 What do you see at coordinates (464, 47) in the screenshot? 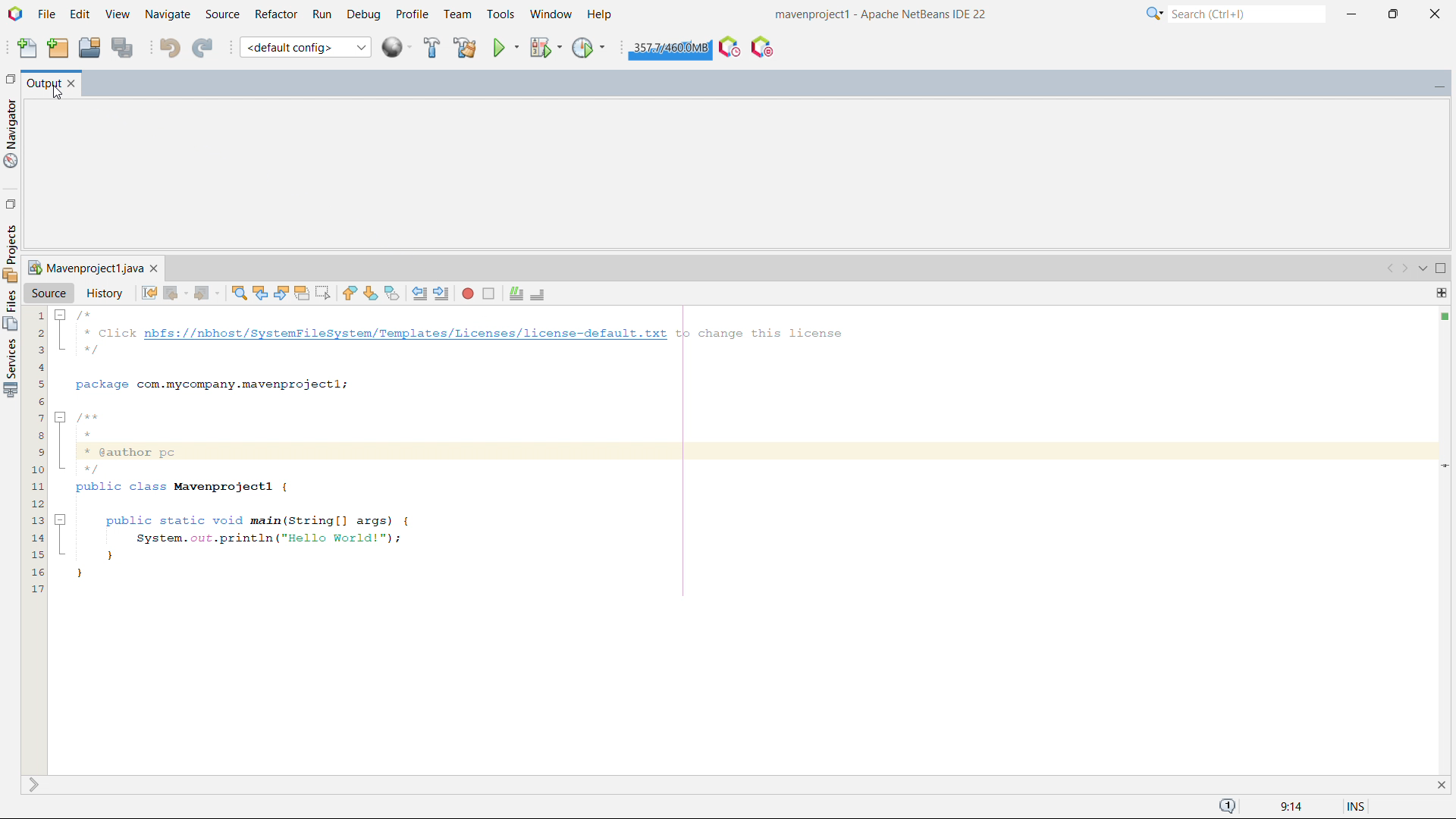
I see `clean and build project` at bounding box center [464, 47].